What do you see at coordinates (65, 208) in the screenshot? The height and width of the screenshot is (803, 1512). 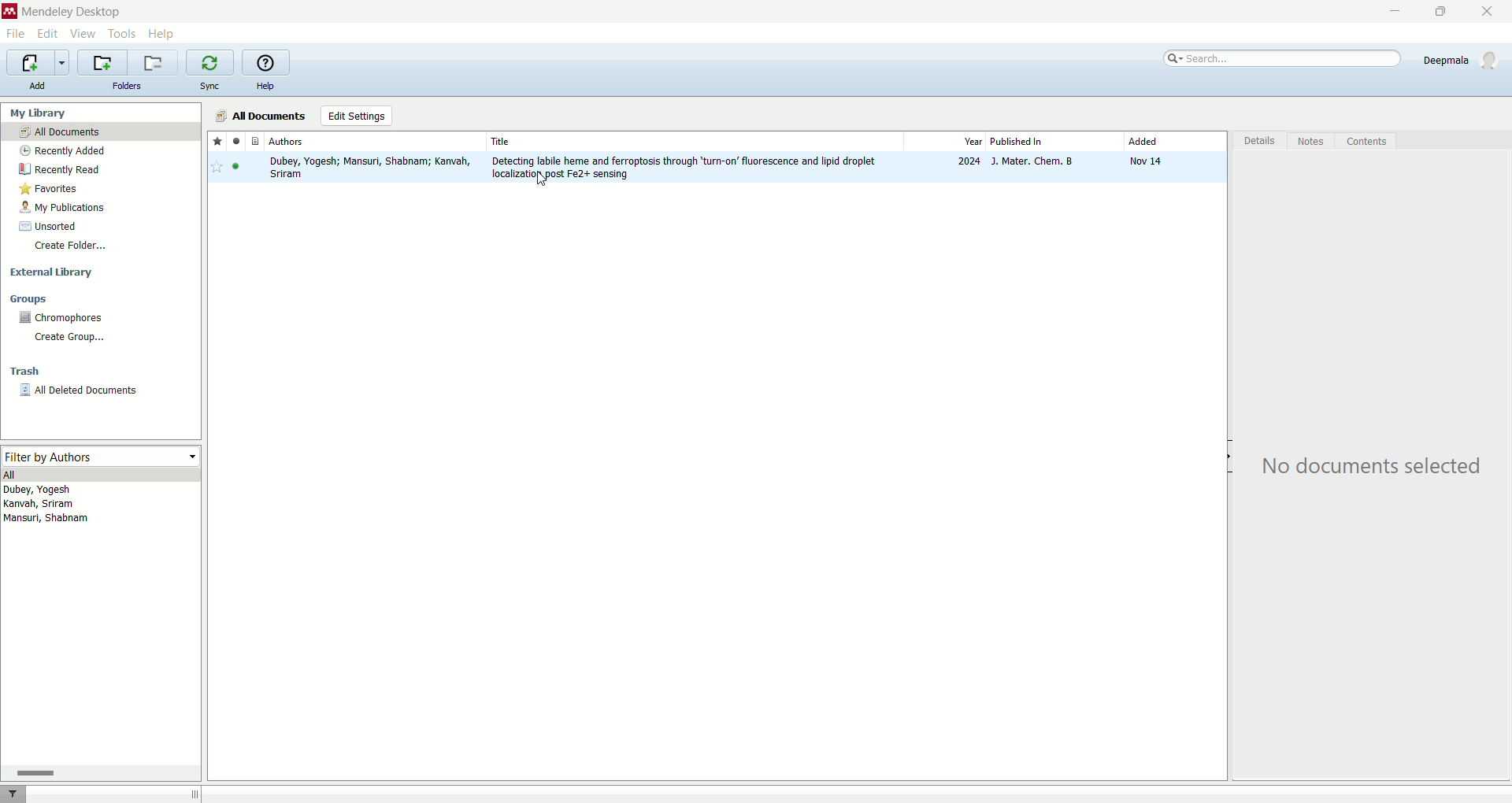 I see `my publications` at bounding box center [65, 208].